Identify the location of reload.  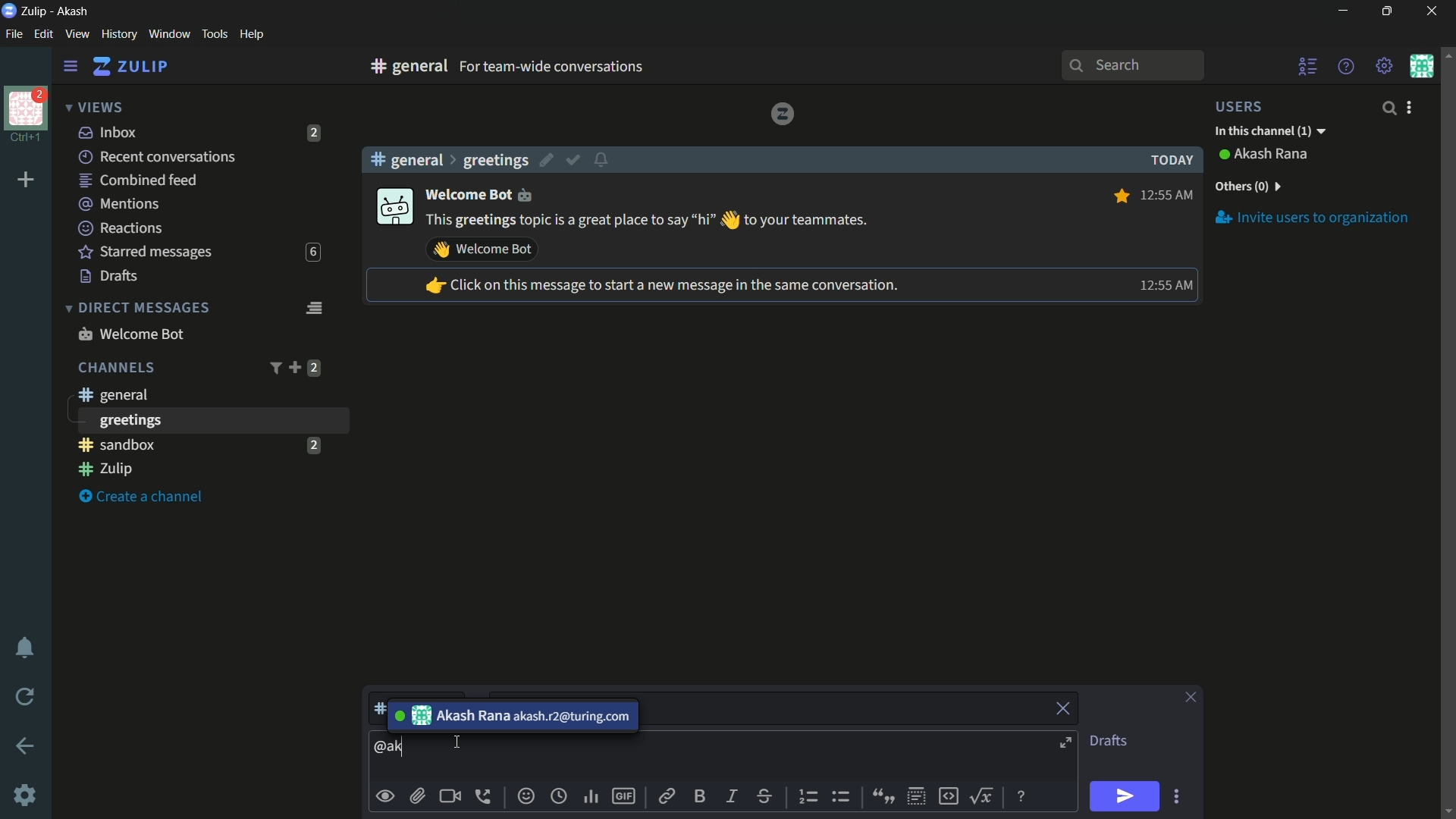
(26, 696).